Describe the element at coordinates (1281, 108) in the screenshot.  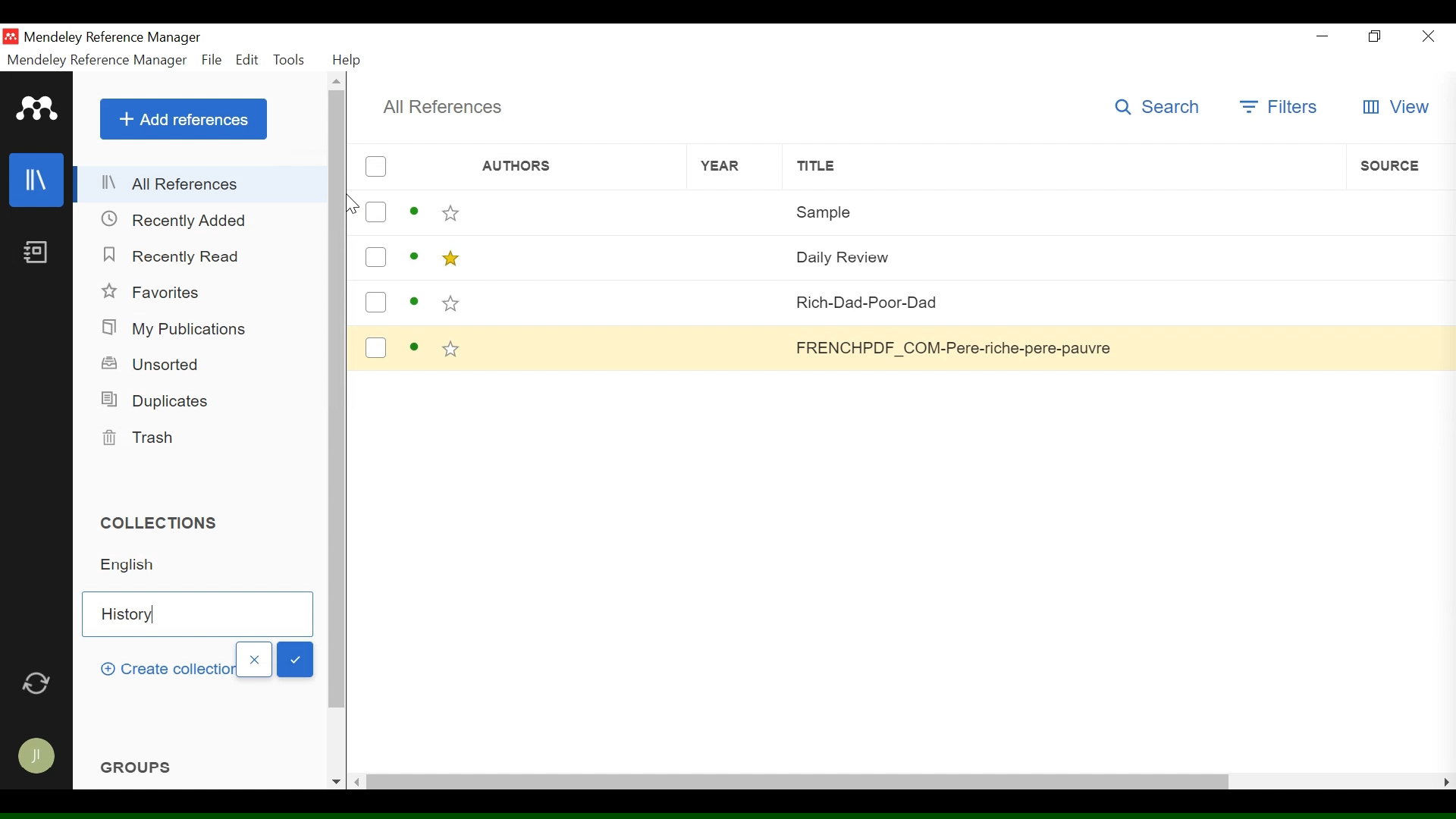
I see `Filters` at that location.